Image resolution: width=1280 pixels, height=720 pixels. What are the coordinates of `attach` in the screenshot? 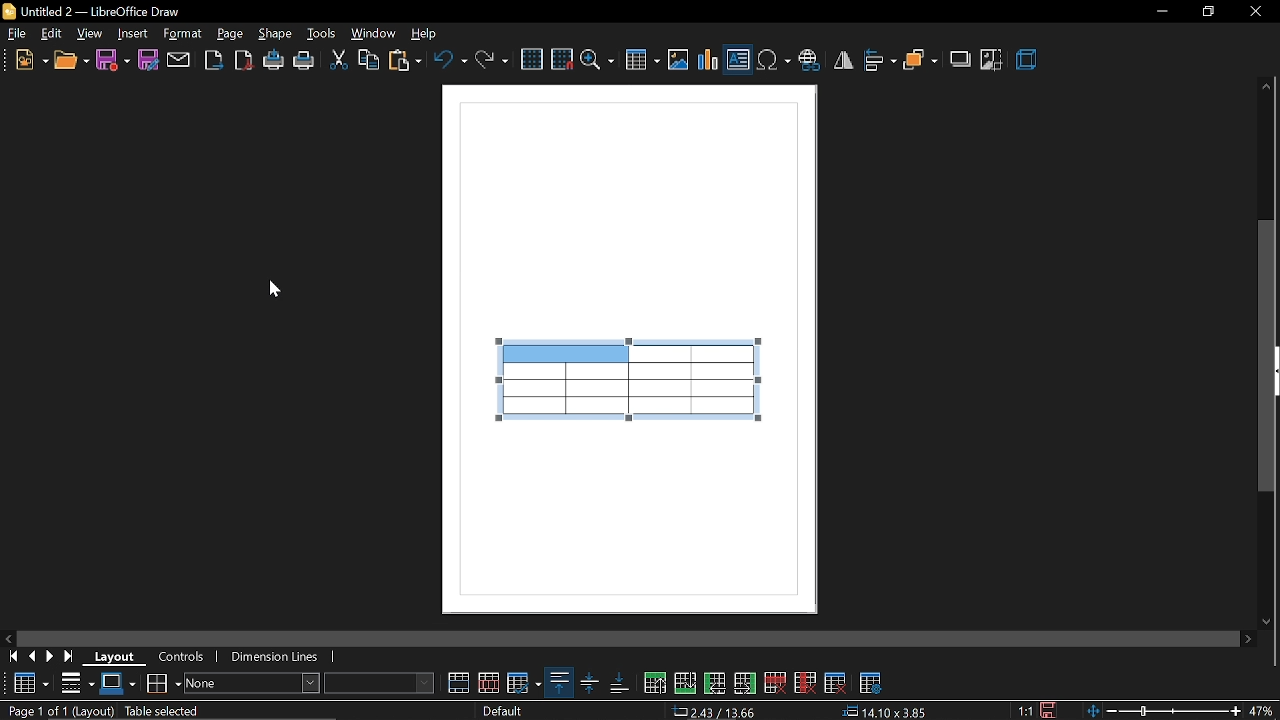 It's located at (179, 60).